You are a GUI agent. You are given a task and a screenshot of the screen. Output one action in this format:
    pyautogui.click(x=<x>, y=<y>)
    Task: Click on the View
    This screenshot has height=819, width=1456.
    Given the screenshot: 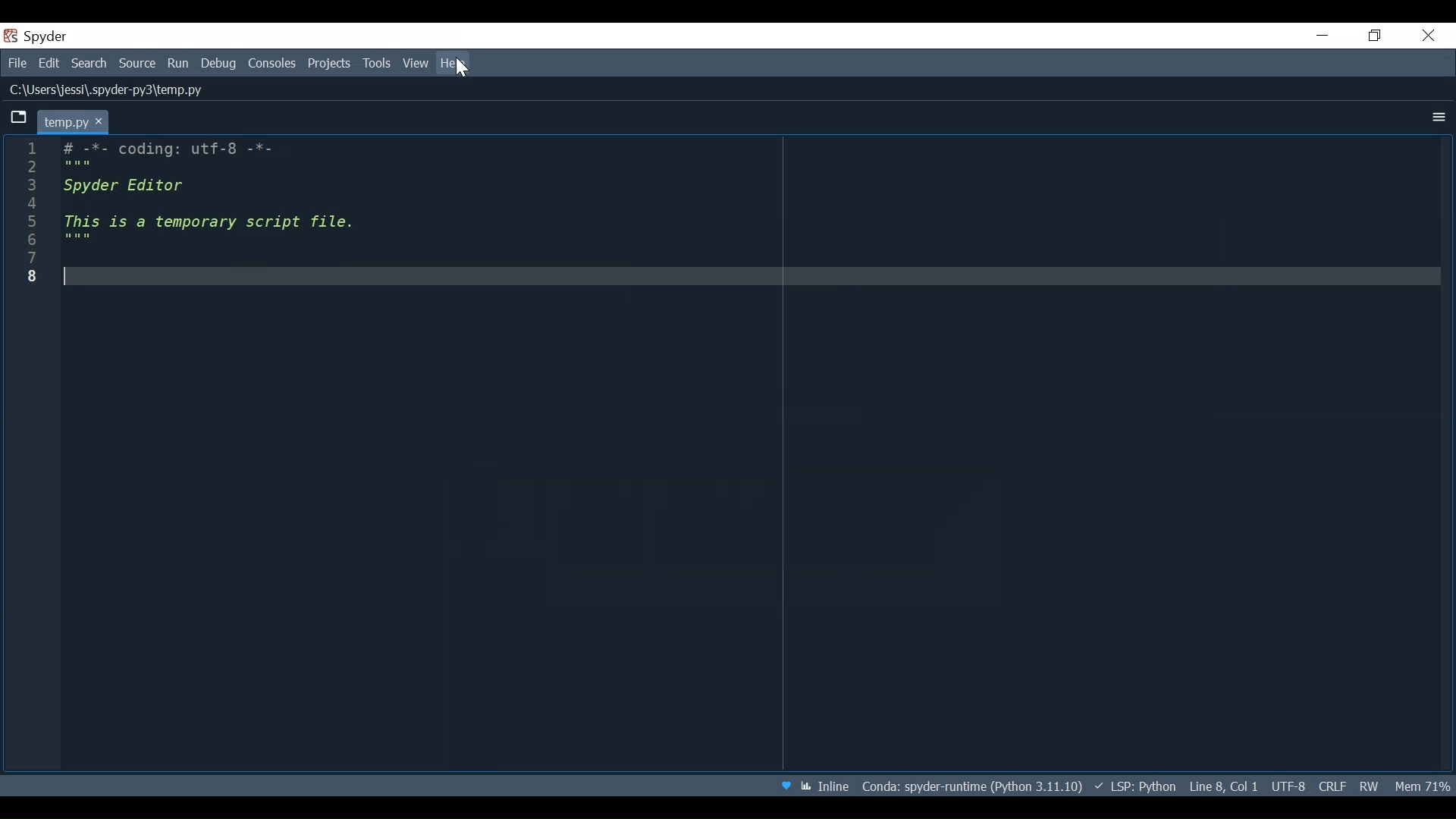 What is the action you would take?
    pyautogui.click(x=416, y=64)
    